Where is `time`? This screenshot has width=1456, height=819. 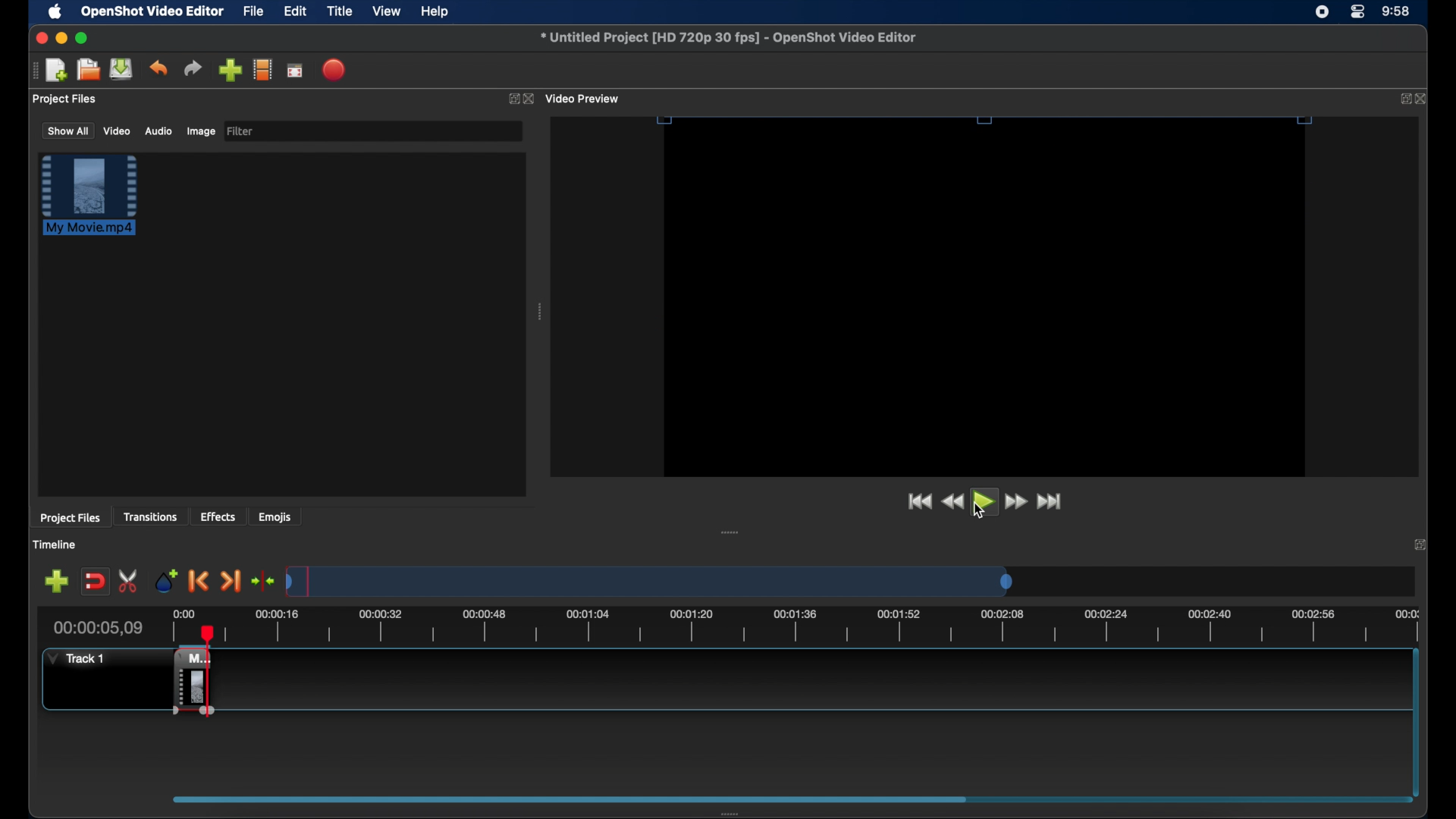
time is located at coordinates (1397, 12).